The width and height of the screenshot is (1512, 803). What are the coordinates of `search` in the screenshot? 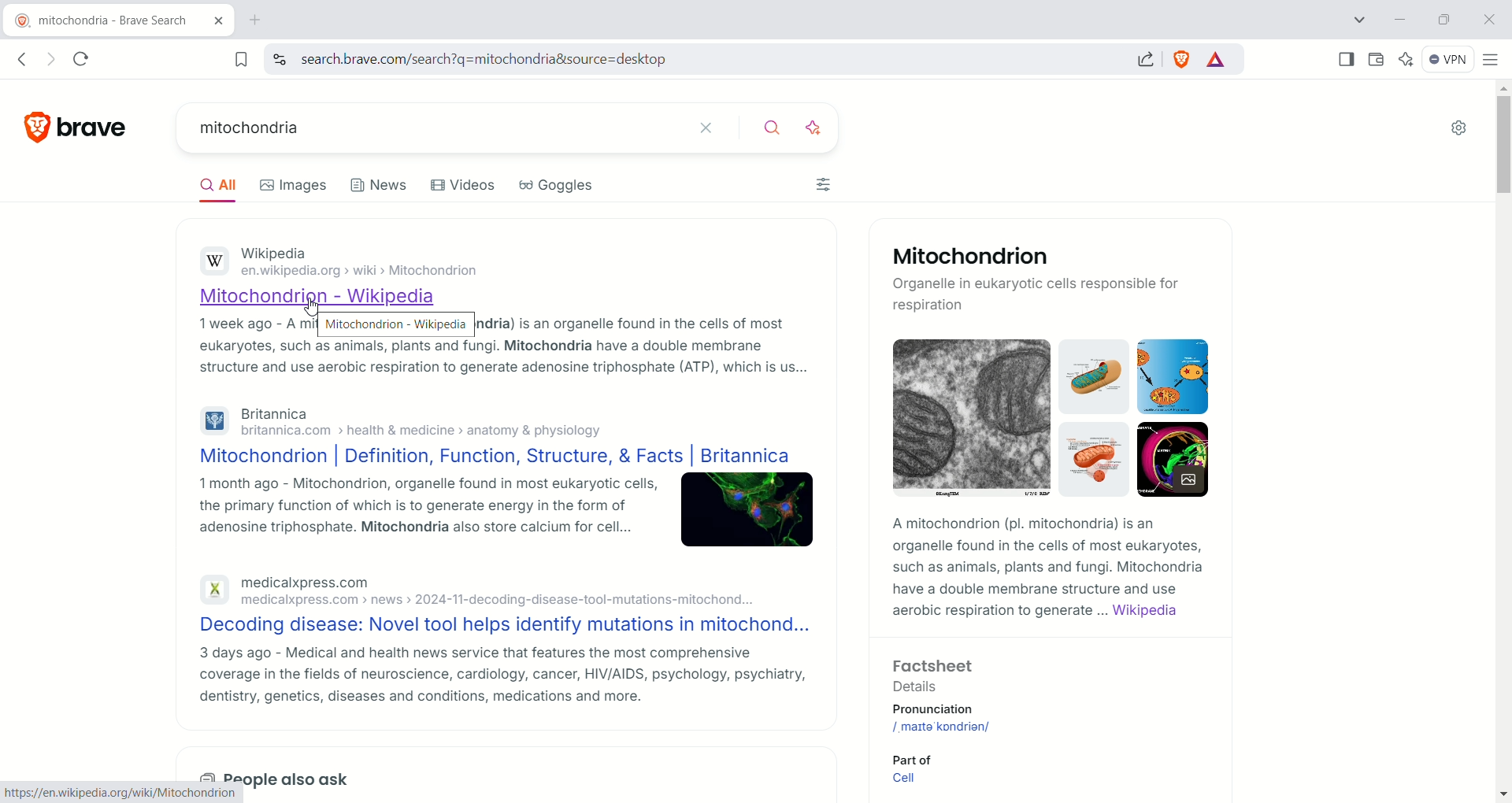 It's located at (761, 130).